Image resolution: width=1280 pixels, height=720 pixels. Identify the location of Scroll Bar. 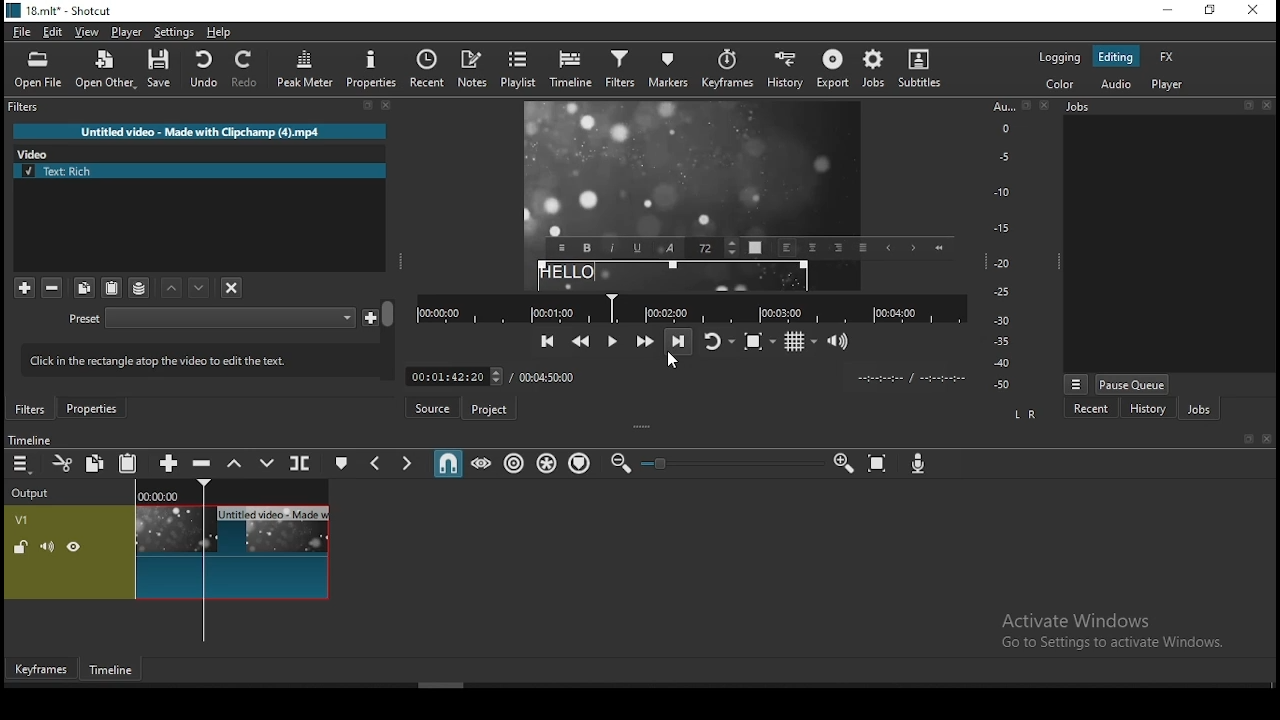
(389, 339).